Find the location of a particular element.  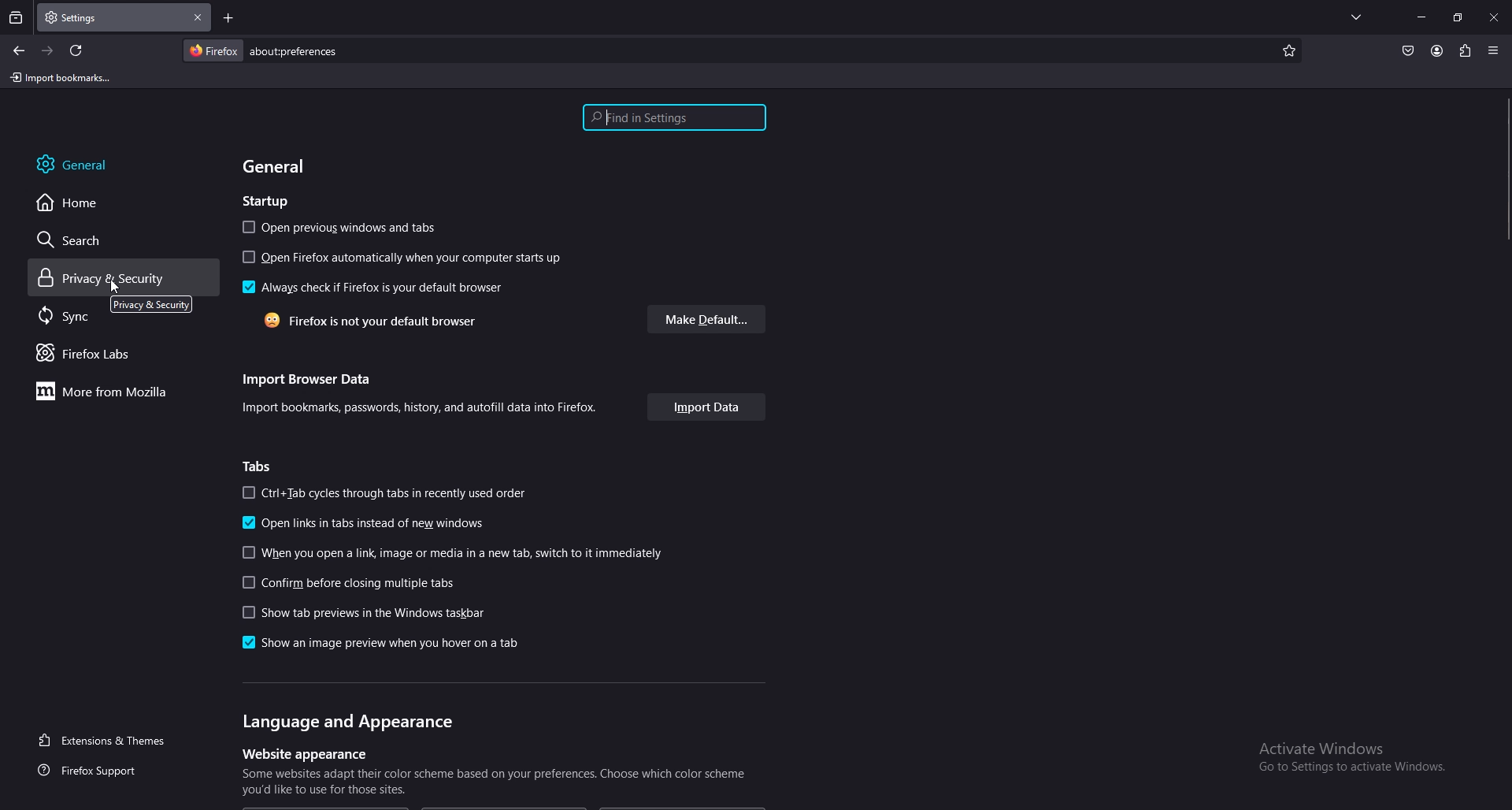

recent browsing is located at coordinates (16, 19).